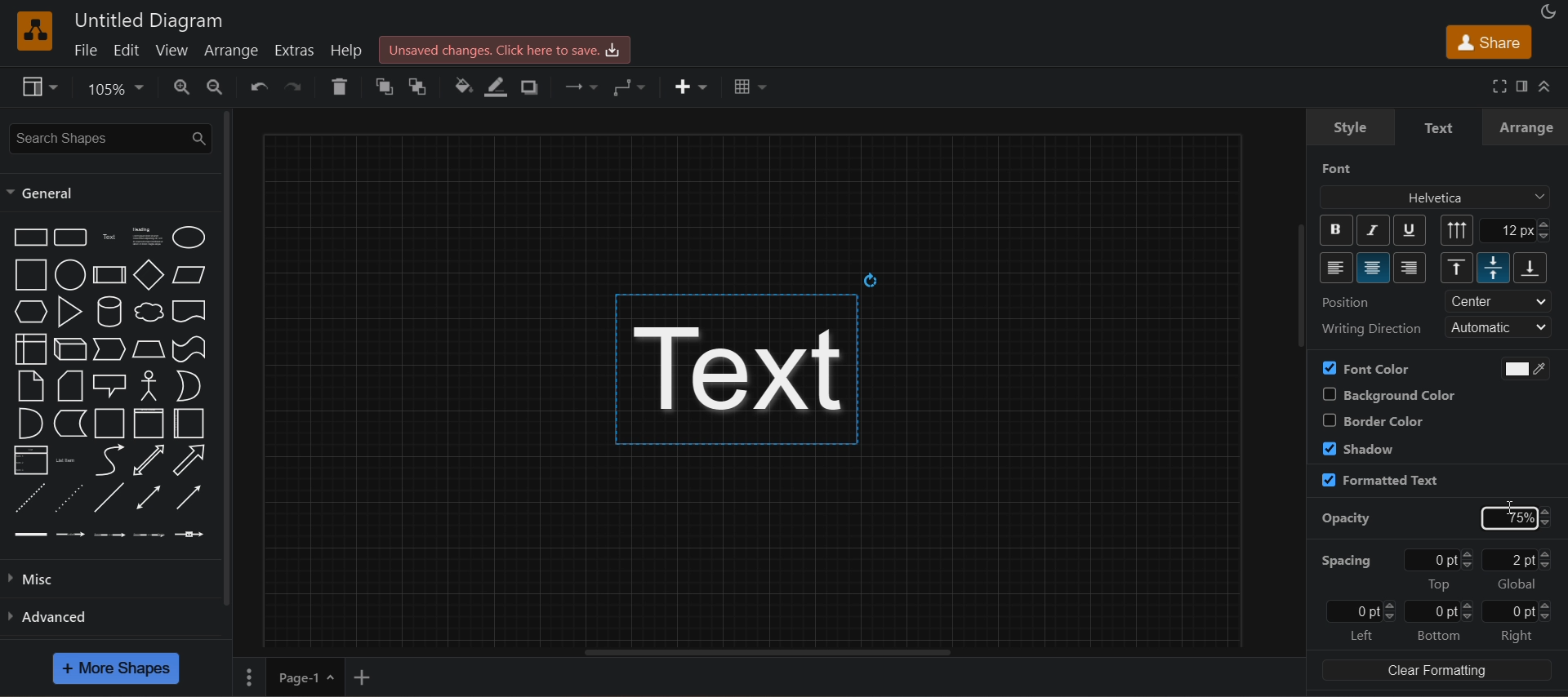  What do you see at coordinates (71, 275) in the screenshot?
I see `circle` at bounding box center [71, 275].